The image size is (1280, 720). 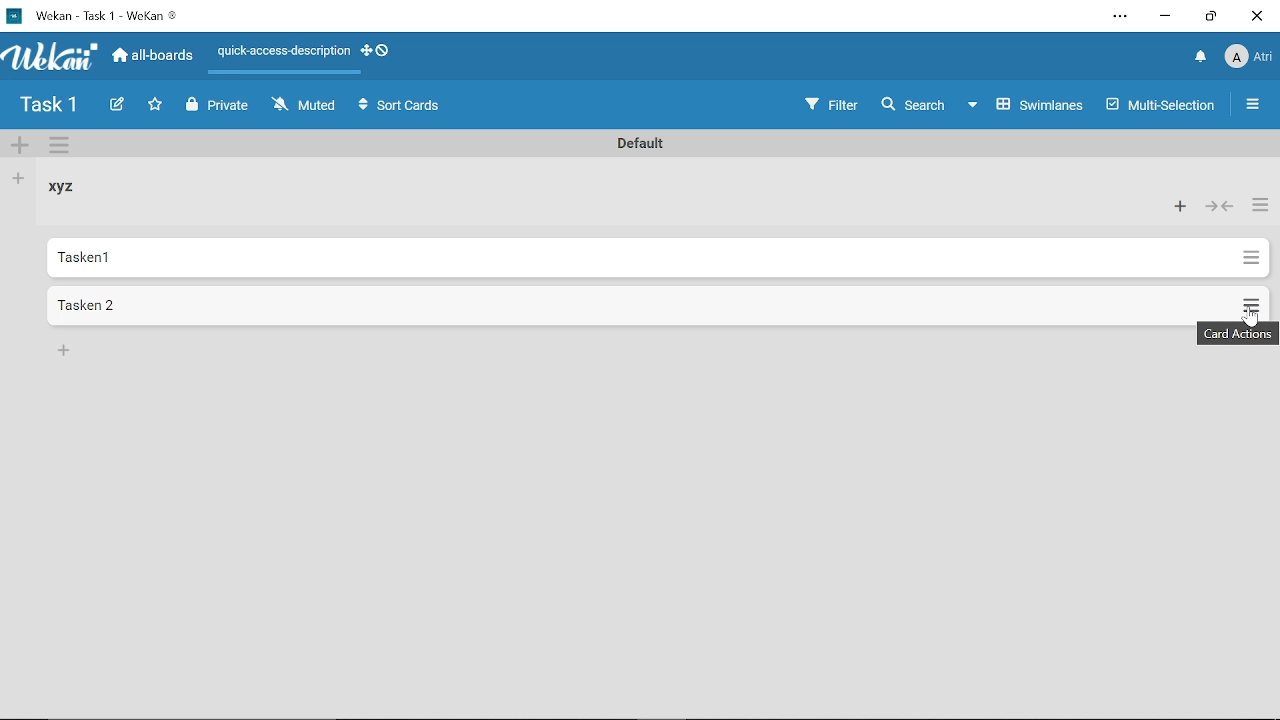 What do you see at coordinates (52, 58) in the screenshot?
I see `Wekan logo` at bounding box center [52, 58].